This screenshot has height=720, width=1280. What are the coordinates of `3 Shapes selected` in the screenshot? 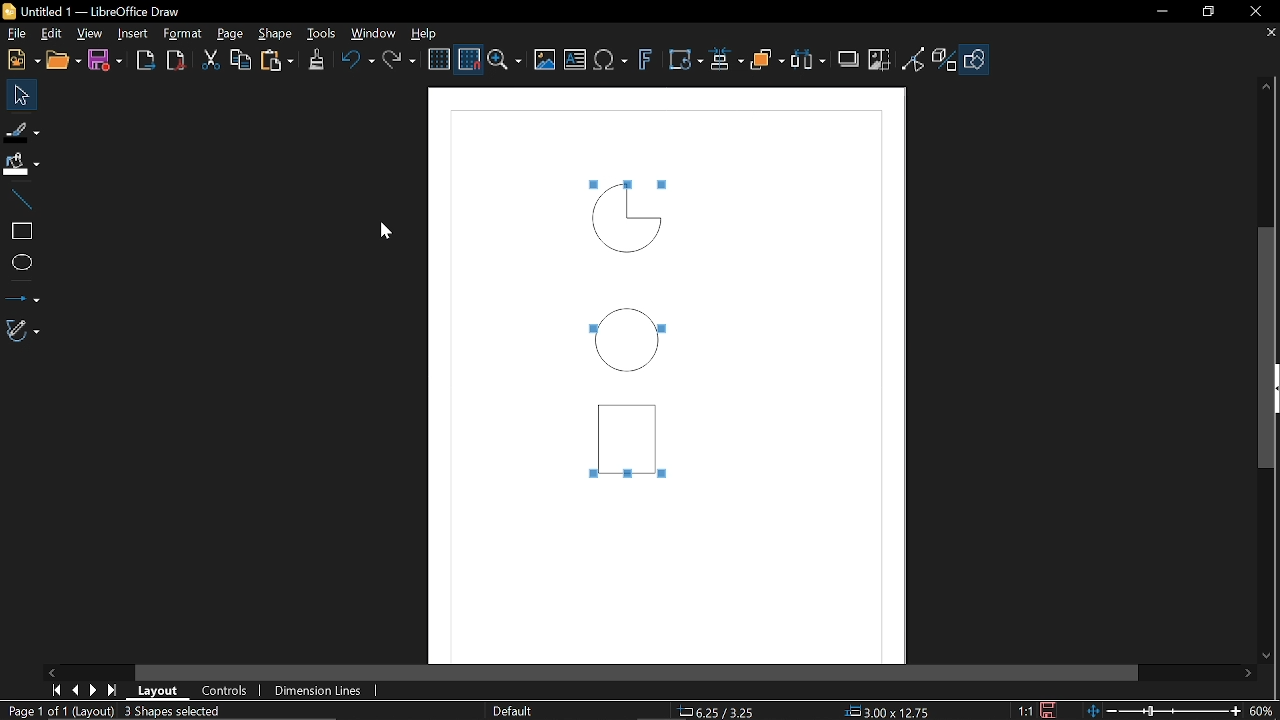 It's located at (172, 710).